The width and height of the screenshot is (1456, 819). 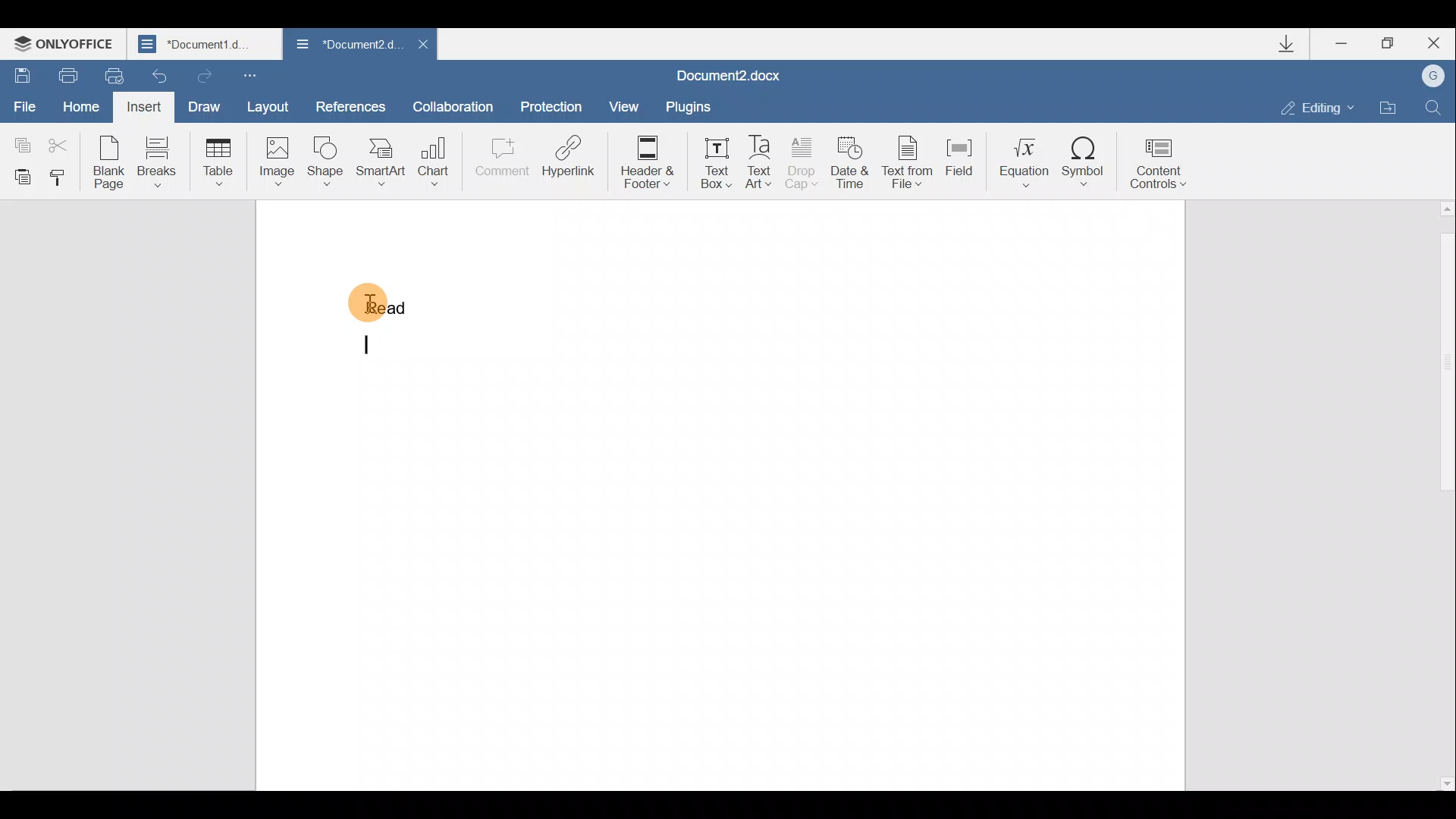 What do you see at coordinates (437, 155) in the screenshot?
I see `Chart` at bounding box center [437, 155].